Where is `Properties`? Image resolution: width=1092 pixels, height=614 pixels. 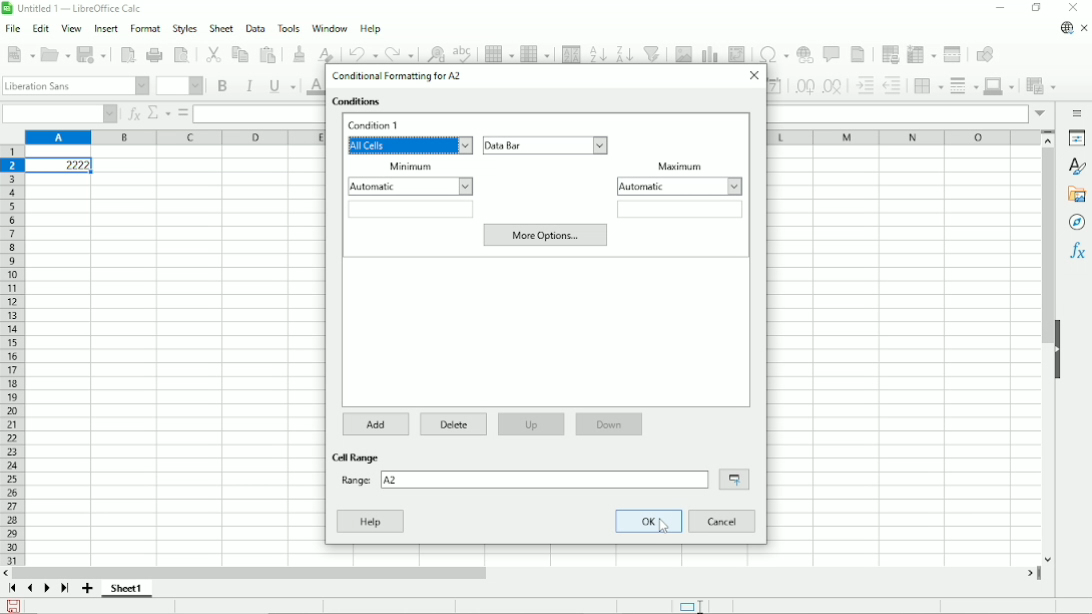 Properties is located at coordinates (1077, 138).